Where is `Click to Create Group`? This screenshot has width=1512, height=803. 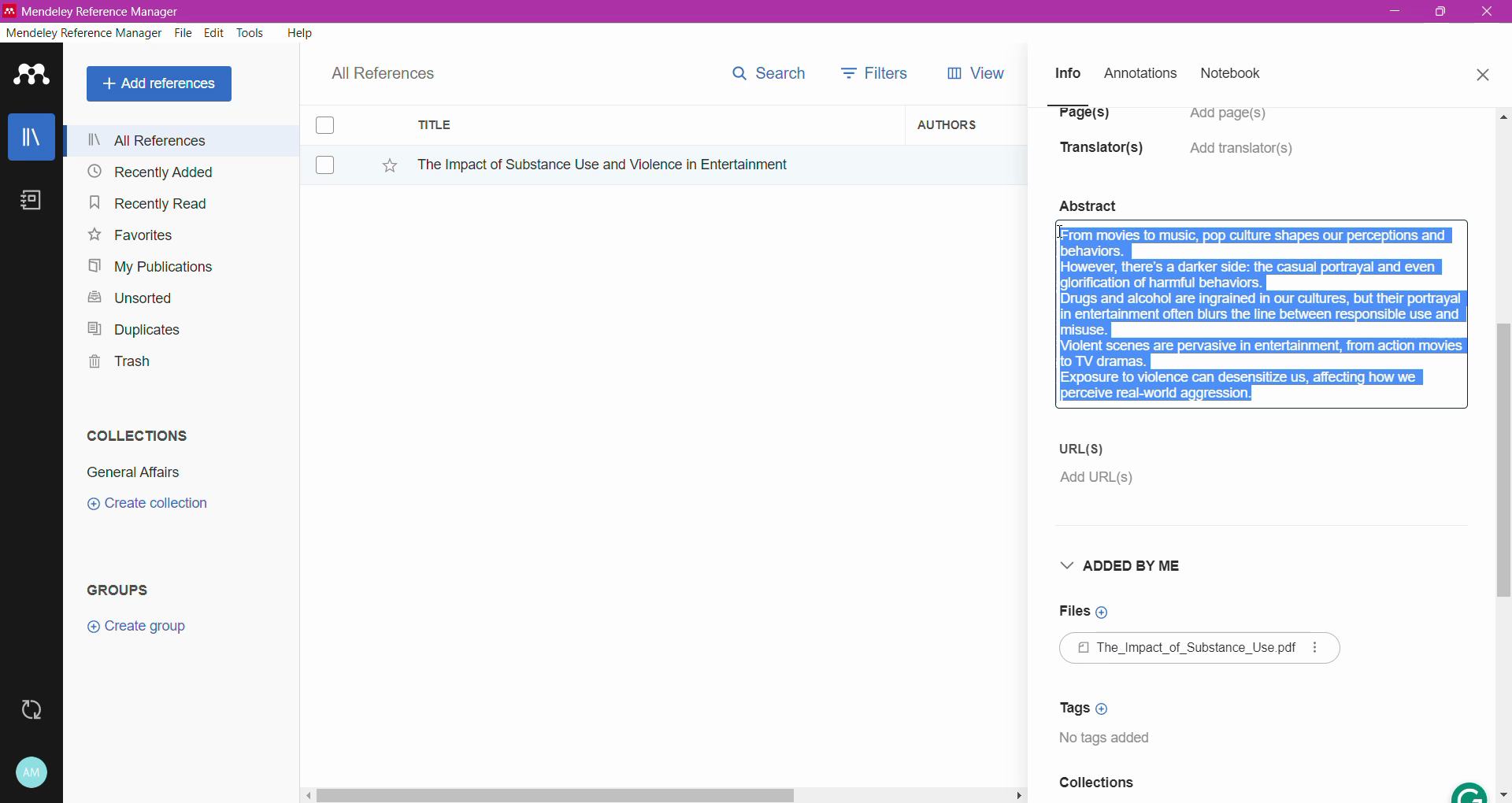
Click to Create Group is located at coordinates (140, 632).